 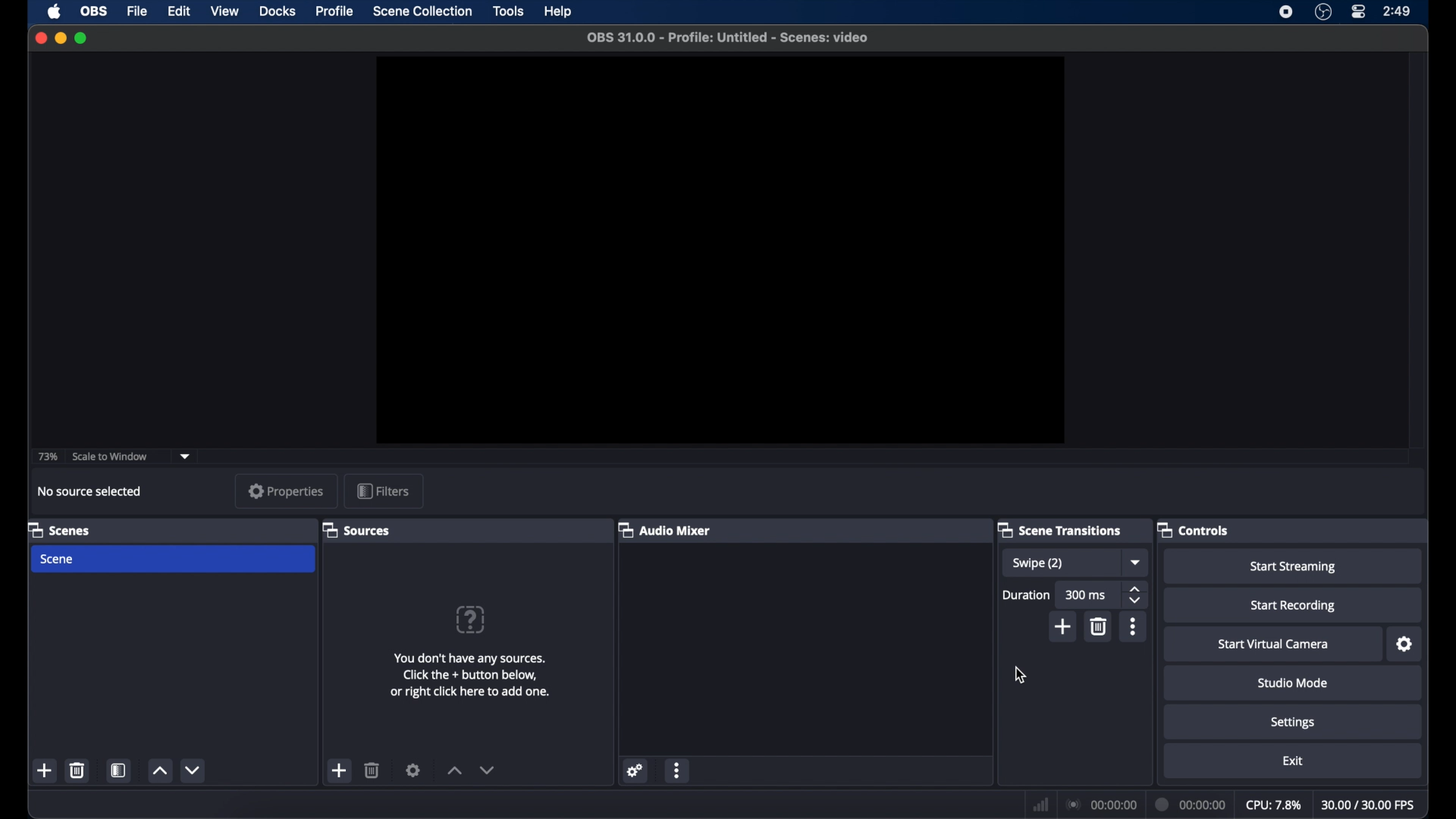 I want to click on moreoptions, so click(x=1133, y=626).